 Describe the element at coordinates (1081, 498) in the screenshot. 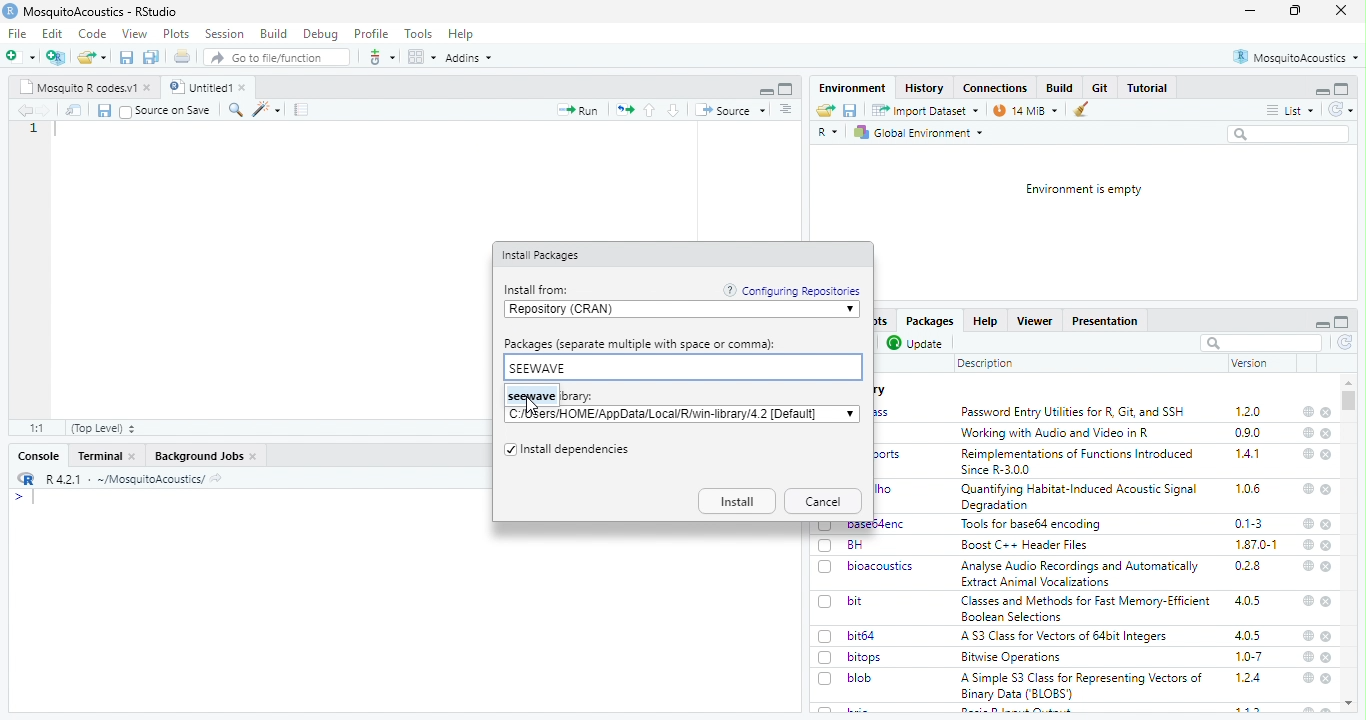

I see `Quantifying Habitat-Induced Acoustic Signal
Degradation` at that location.